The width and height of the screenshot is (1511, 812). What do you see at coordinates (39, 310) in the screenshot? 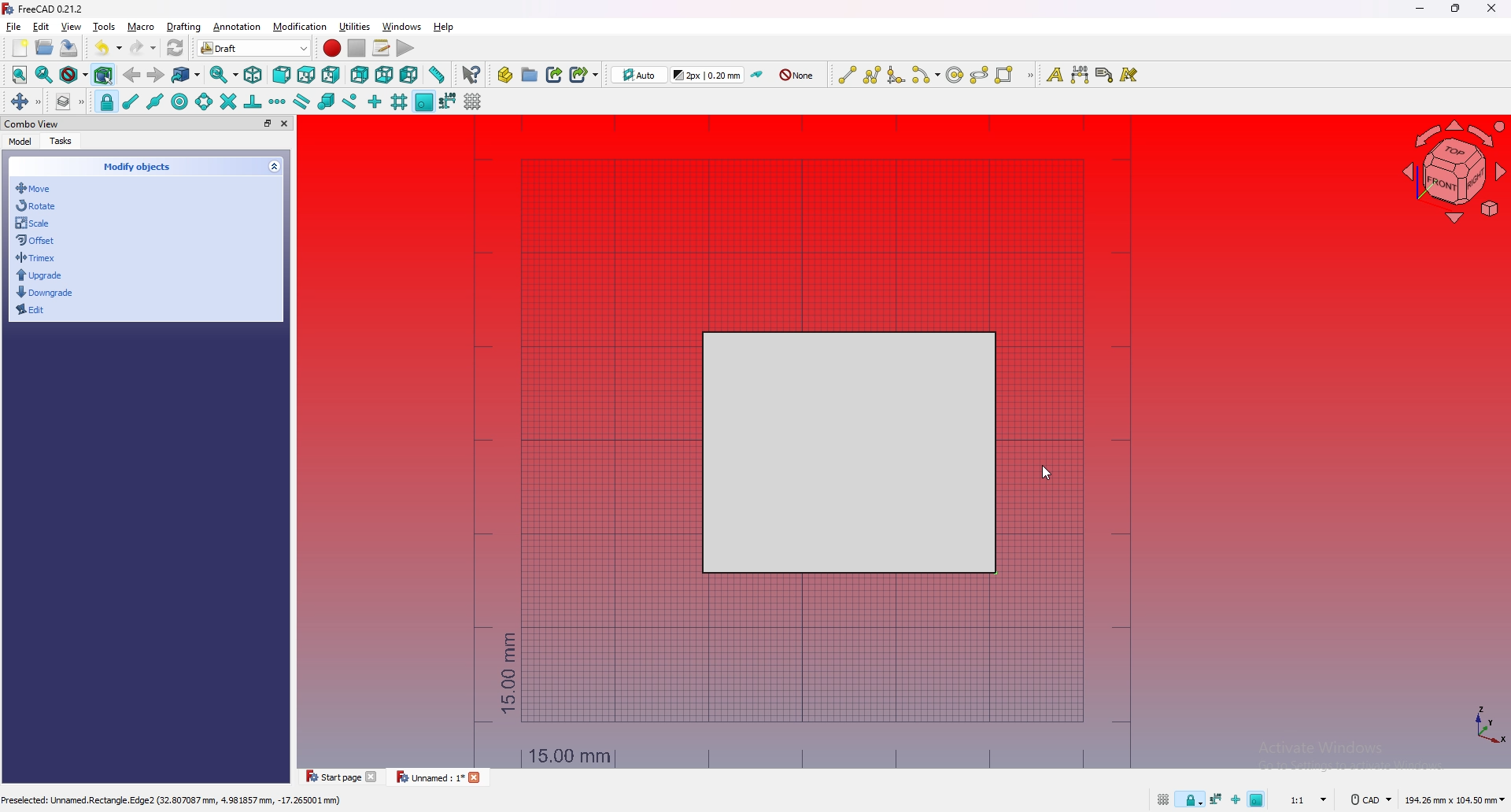
I see `edit` at bounding box center [39, 310].